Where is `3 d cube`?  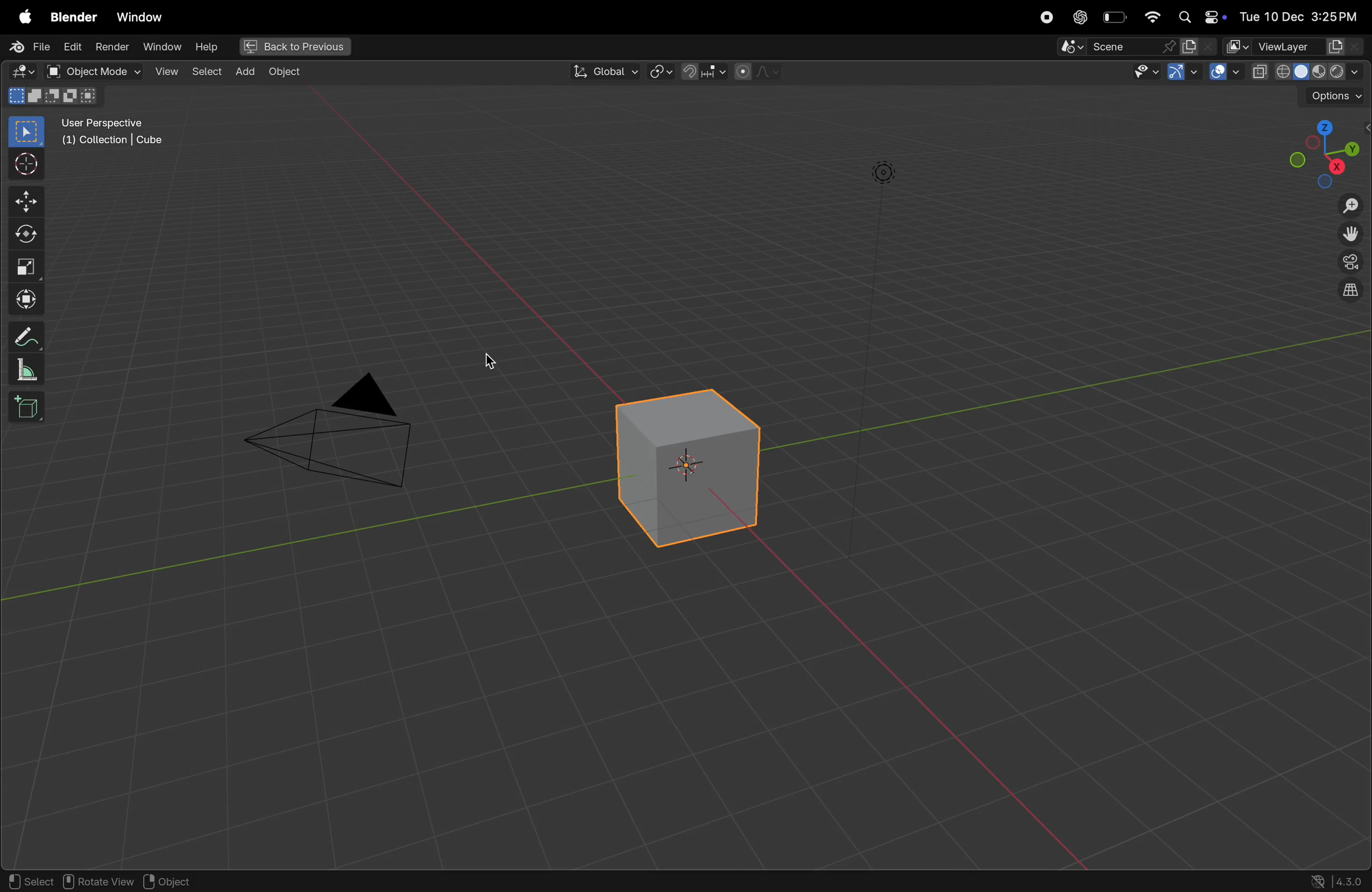
3 d cube is located at coordinates (691, 468).